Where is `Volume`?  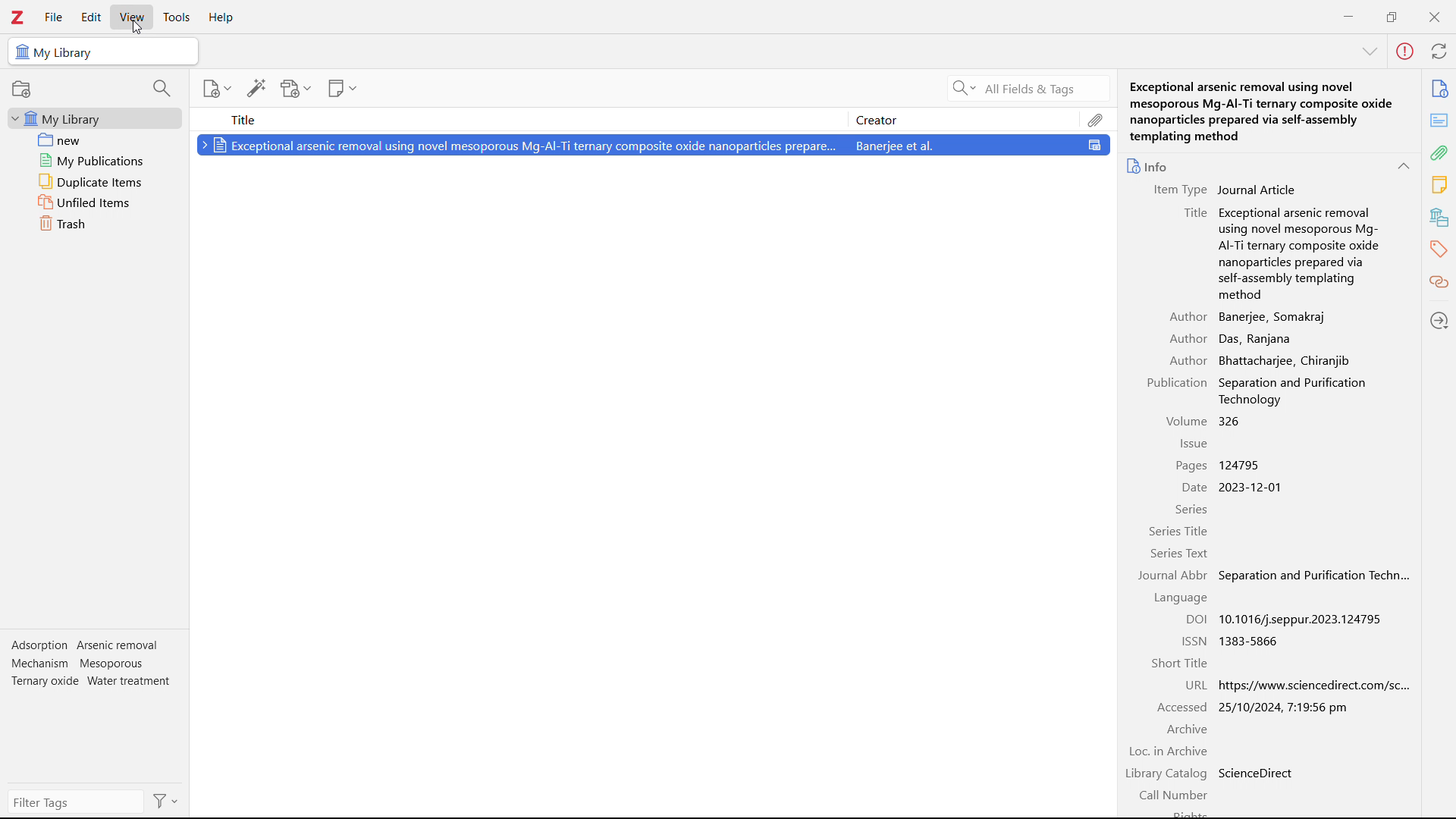
Volume is located at coordinates (1187, 421).